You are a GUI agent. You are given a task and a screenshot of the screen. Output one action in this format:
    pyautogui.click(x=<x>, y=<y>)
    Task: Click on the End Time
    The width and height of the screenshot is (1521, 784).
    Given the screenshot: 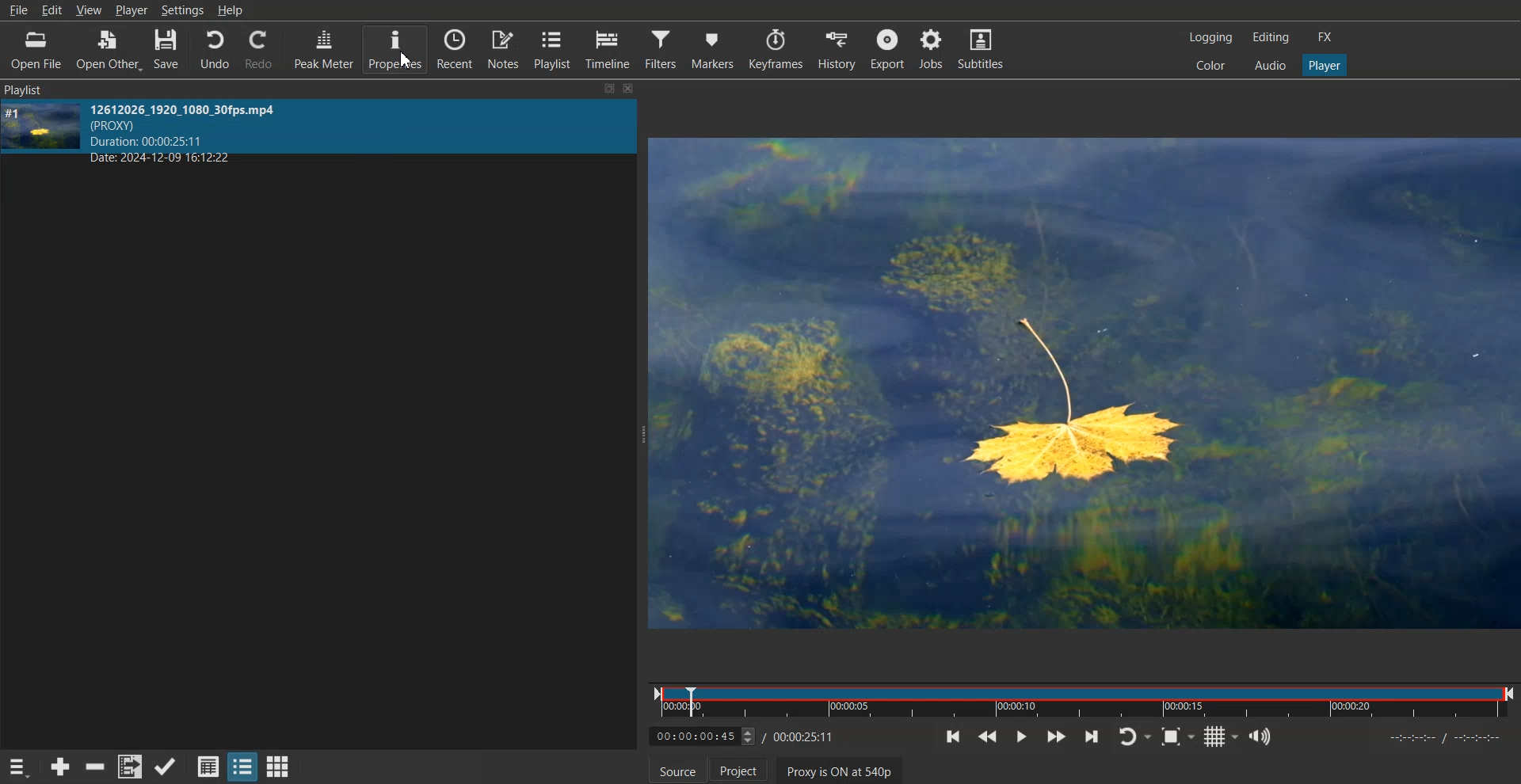 What is the action you would take?
    pyautogui.click(x=806, y=736)
    